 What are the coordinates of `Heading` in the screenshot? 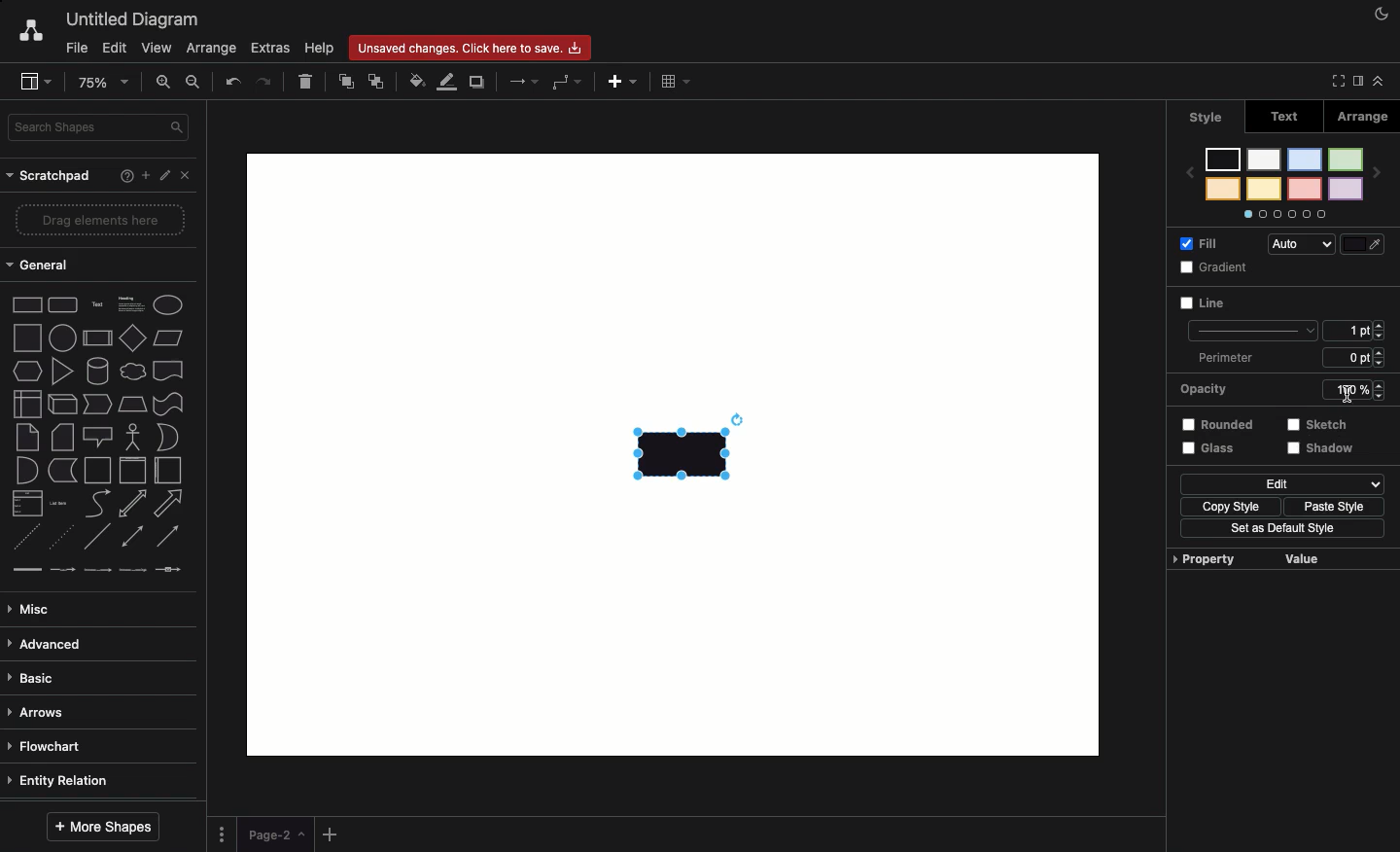 It's located at (130, 307).